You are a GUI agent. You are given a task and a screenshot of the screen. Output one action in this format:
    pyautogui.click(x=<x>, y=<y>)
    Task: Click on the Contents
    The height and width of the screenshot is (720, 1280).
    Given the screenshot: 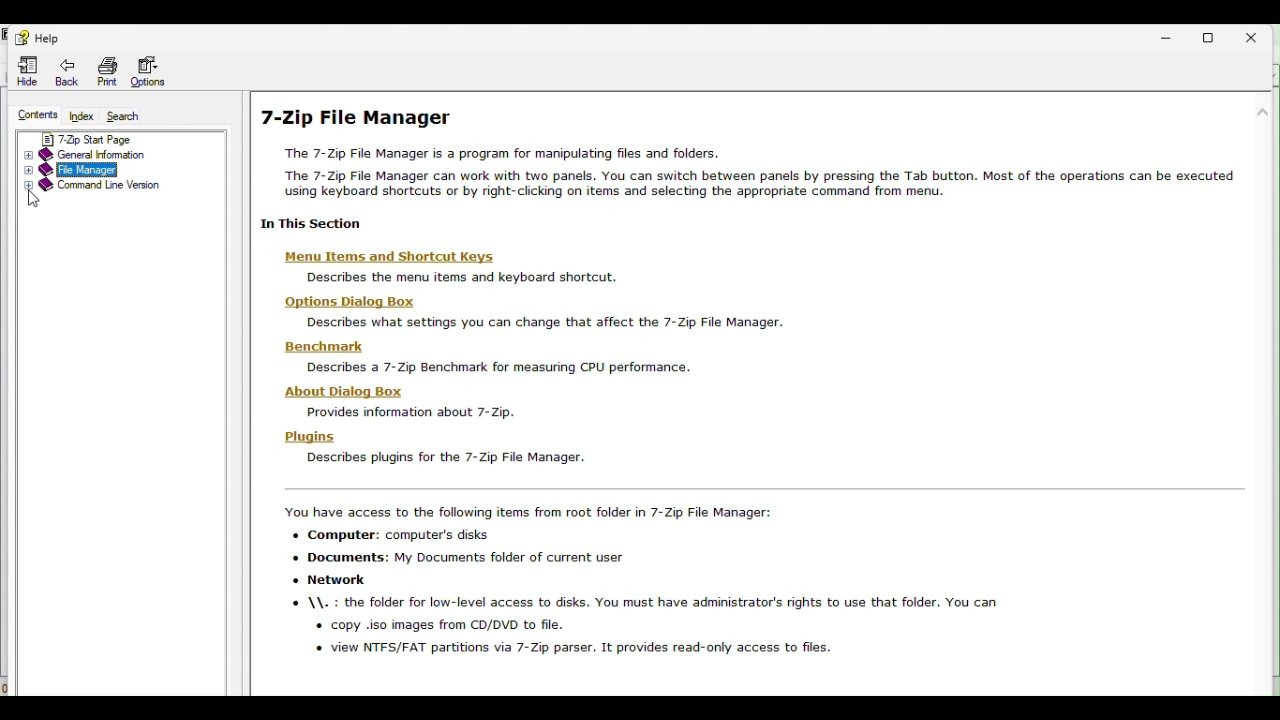 What is the action you would take?
    pyautogui.click(x=36, y=116)
    